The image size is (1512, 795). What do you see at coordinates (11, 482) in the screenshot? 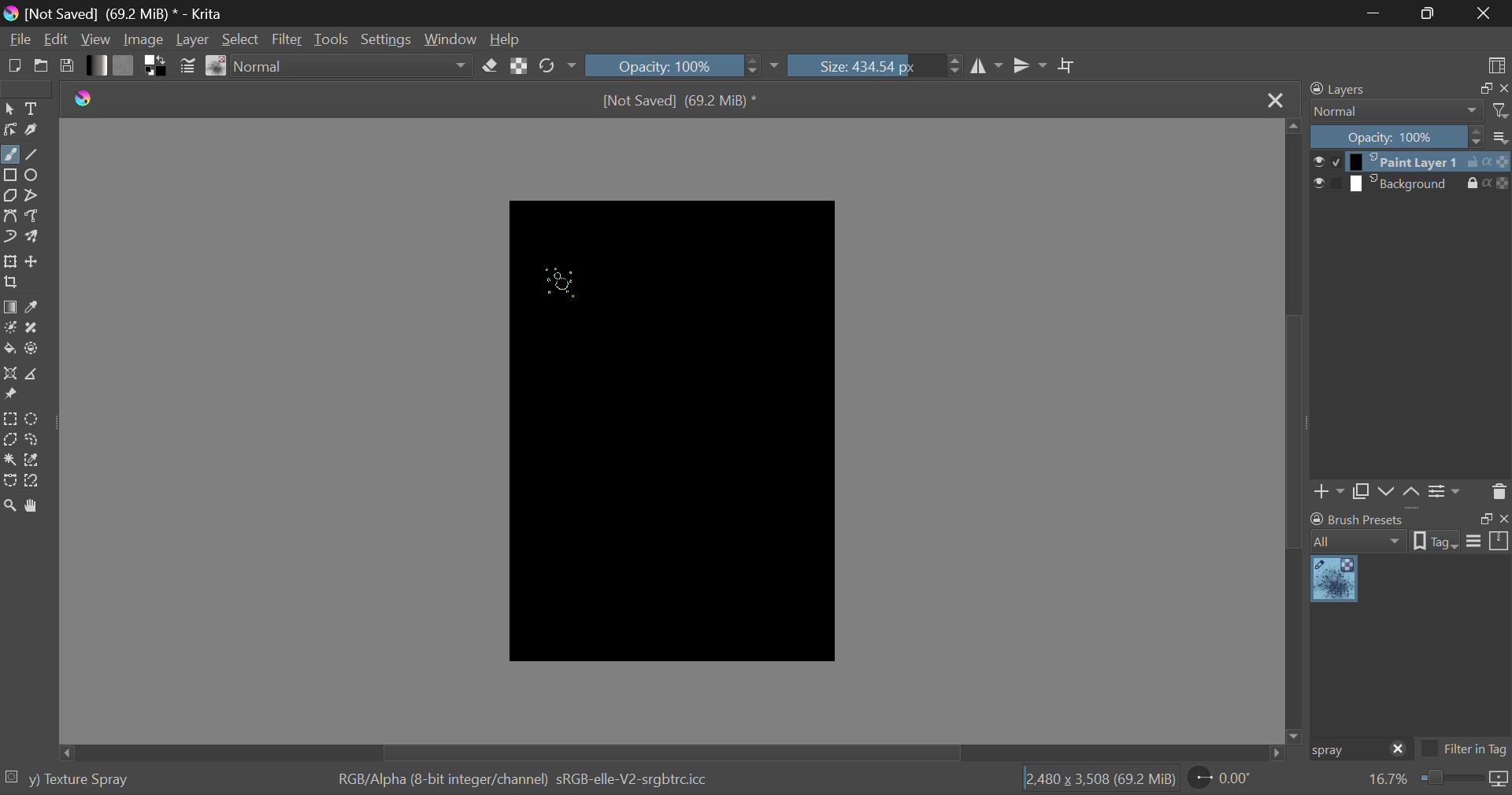
I see `Bezier Curve Selection` at bounding box center [11, 482].